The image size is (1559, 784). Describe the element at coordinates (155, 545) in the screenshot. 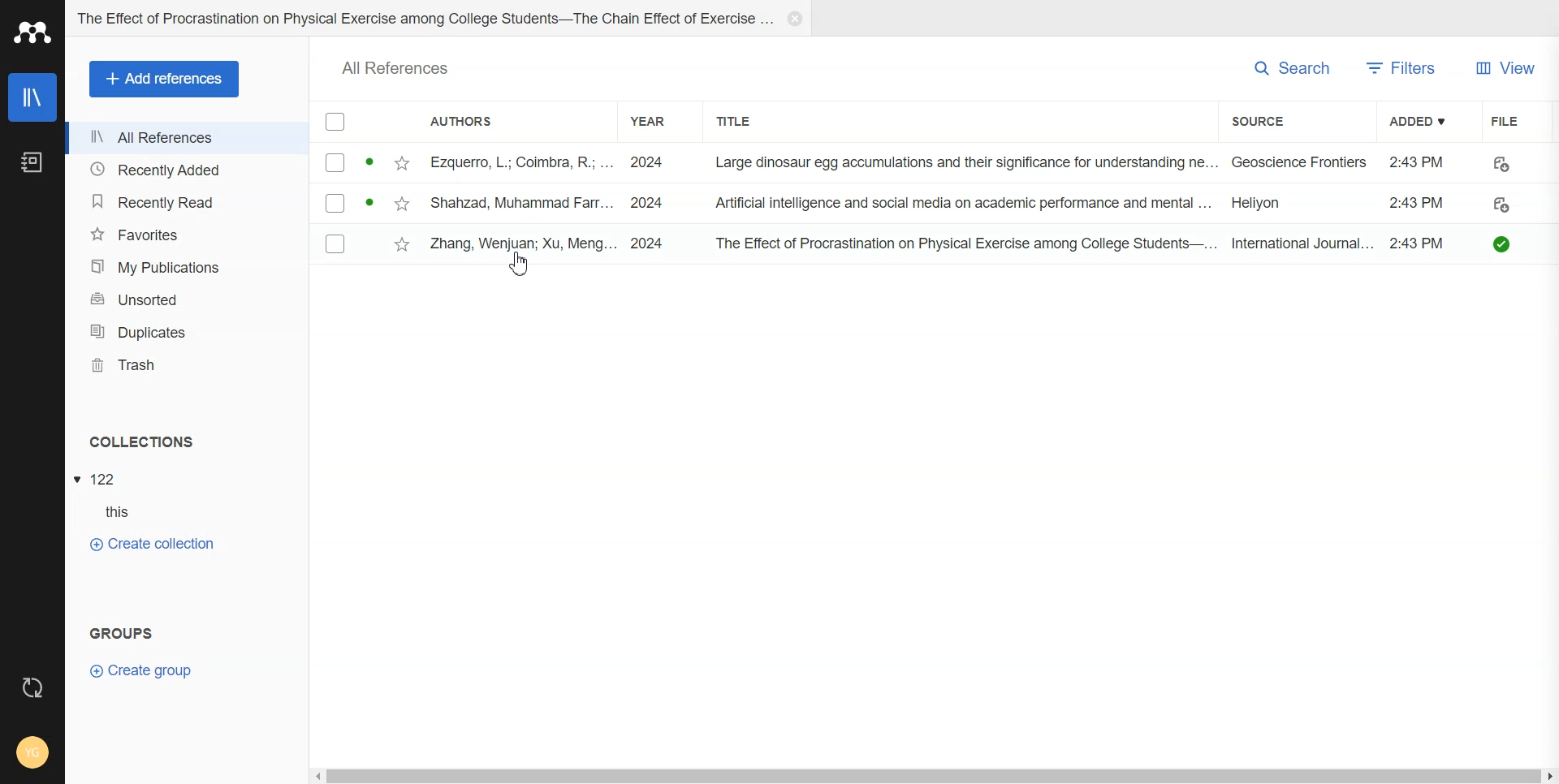

I see `Create Collection` at that location.